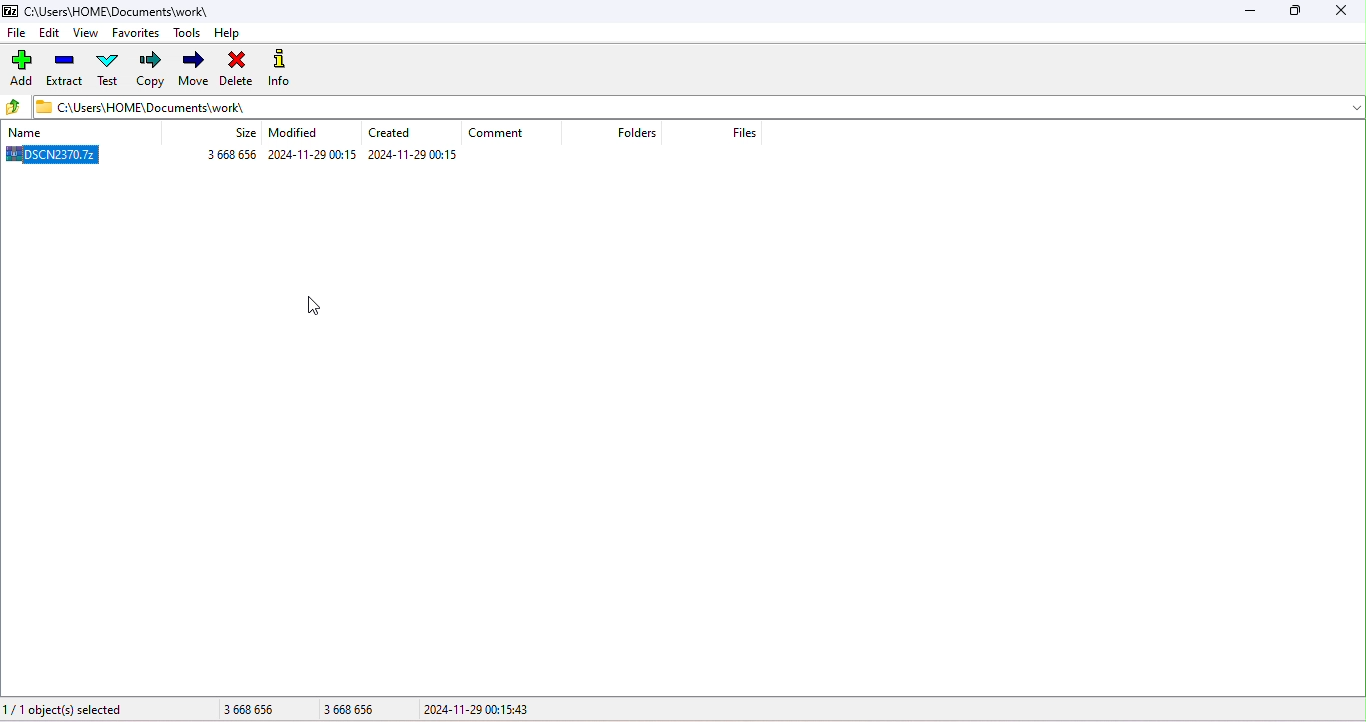  What do you see at coordinates (236, 69) in the screenshot?
I see `delete` at bounding box center [236, 69].